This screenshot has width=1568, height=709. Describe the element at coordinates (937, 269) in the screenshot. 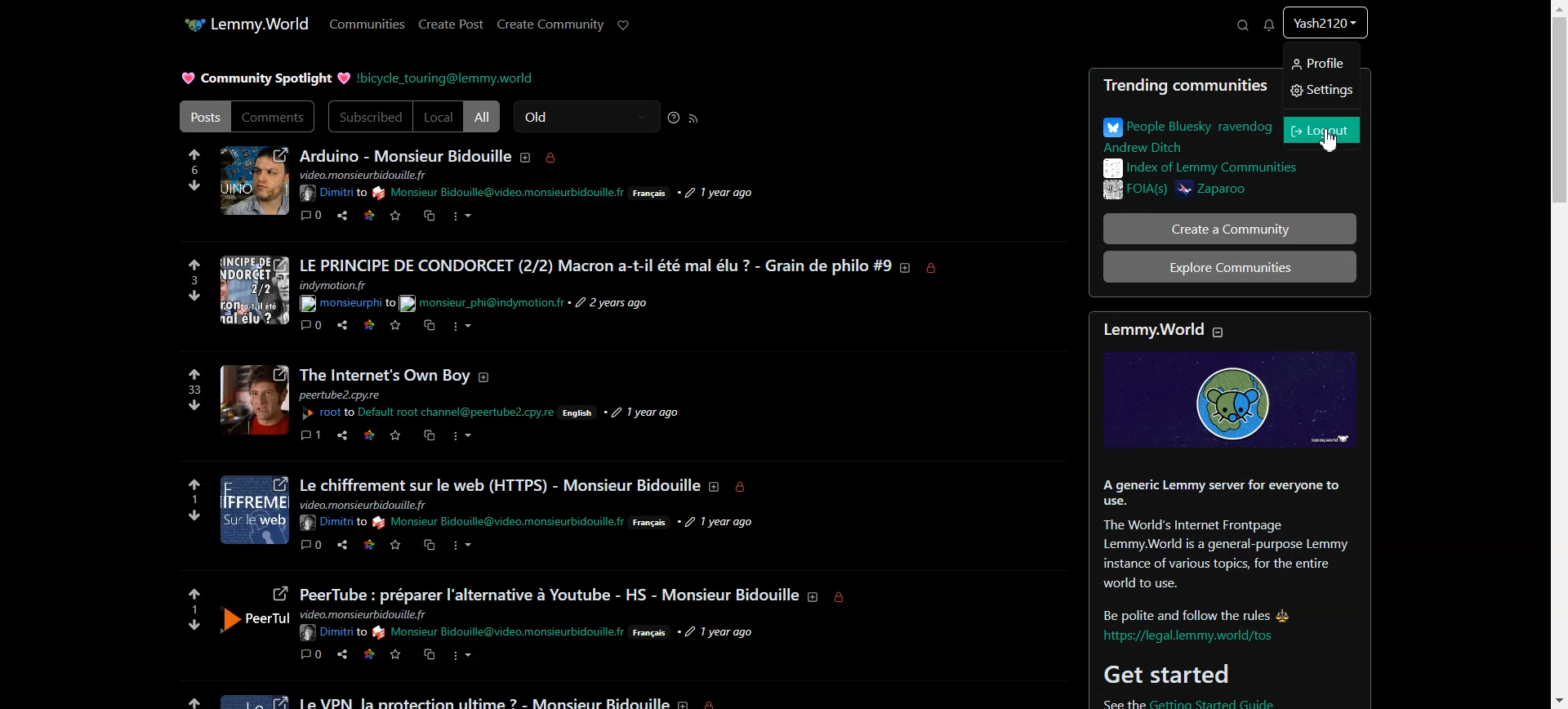

I see `locked` at that location.